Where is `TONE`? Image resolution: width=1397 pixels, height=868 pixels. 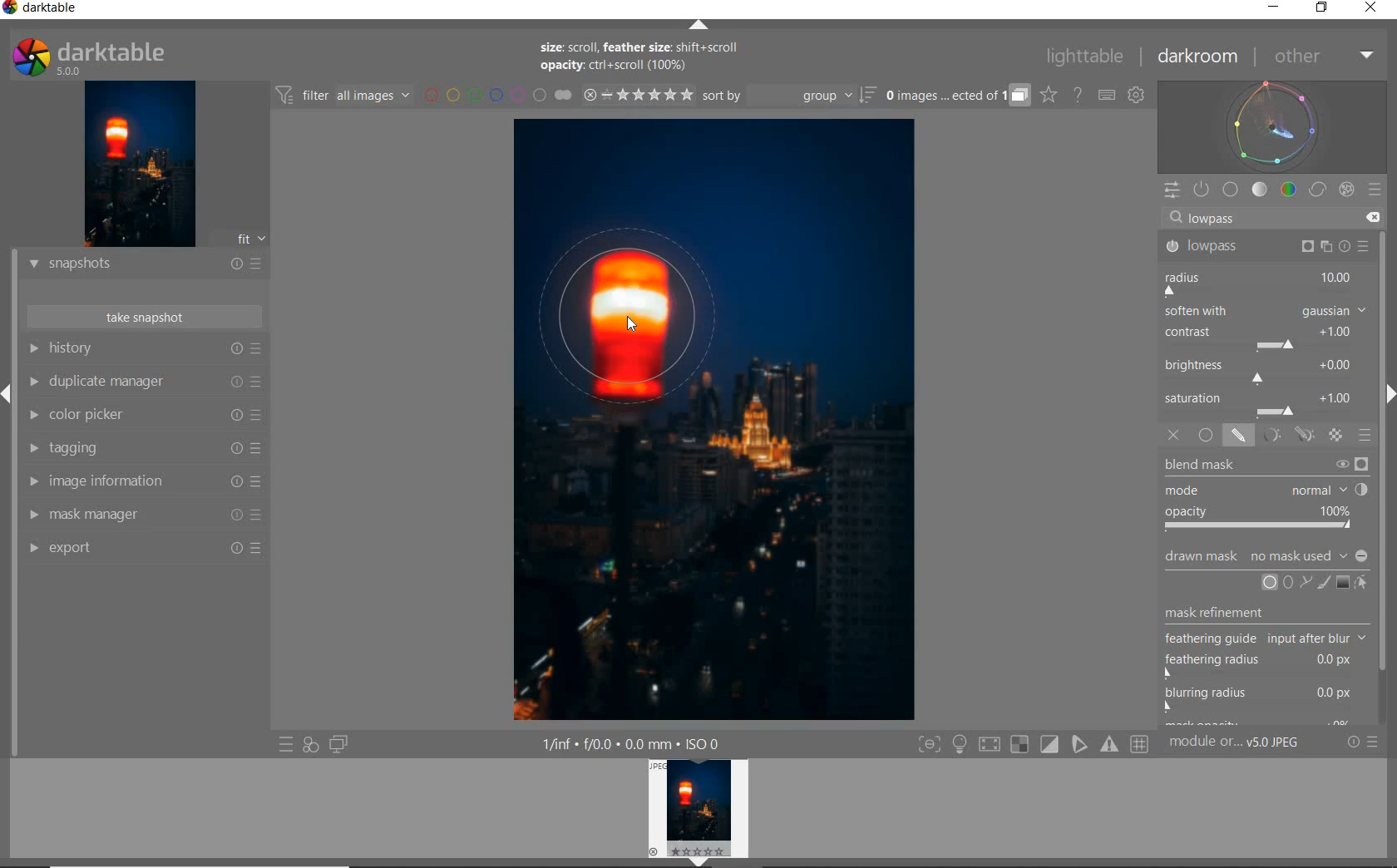 TONE is located at coordinates (1260, 190).